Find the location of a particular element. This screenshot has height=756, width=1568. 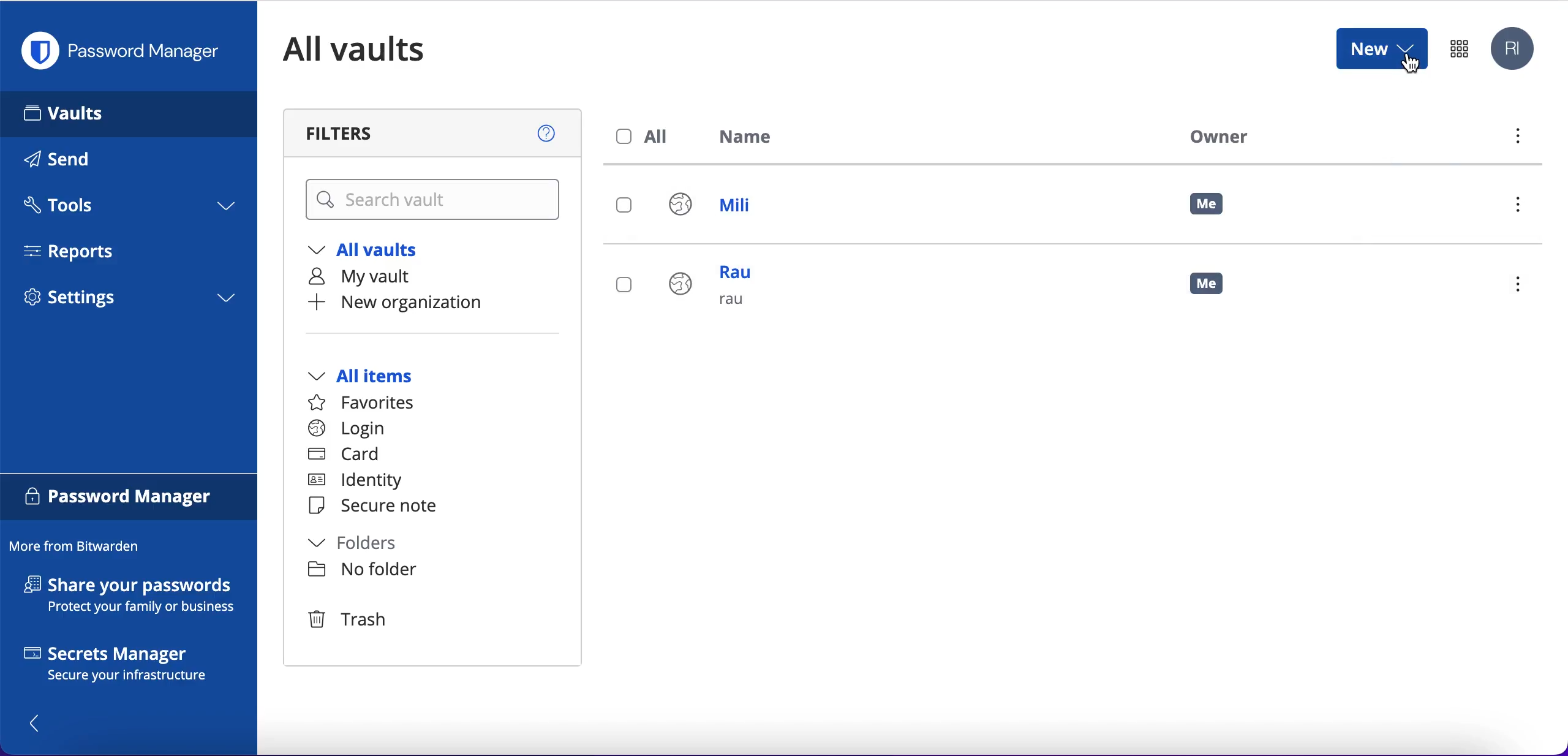

password manager is located at coordinates (129, 497).